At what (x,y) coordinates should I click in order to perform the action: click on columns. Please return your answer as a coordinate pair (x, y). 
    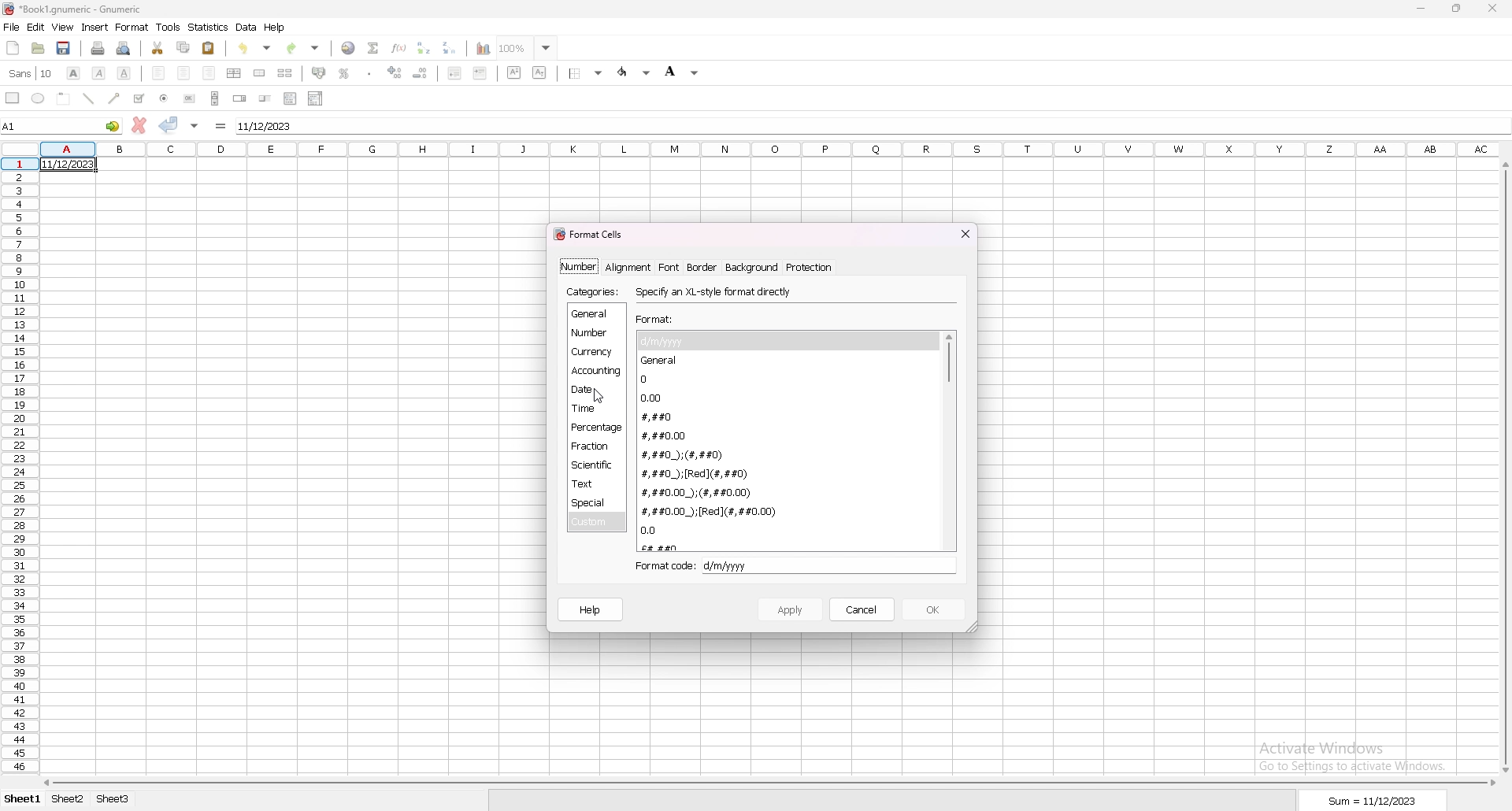
    Looking at the image, I should click on (772, 148).